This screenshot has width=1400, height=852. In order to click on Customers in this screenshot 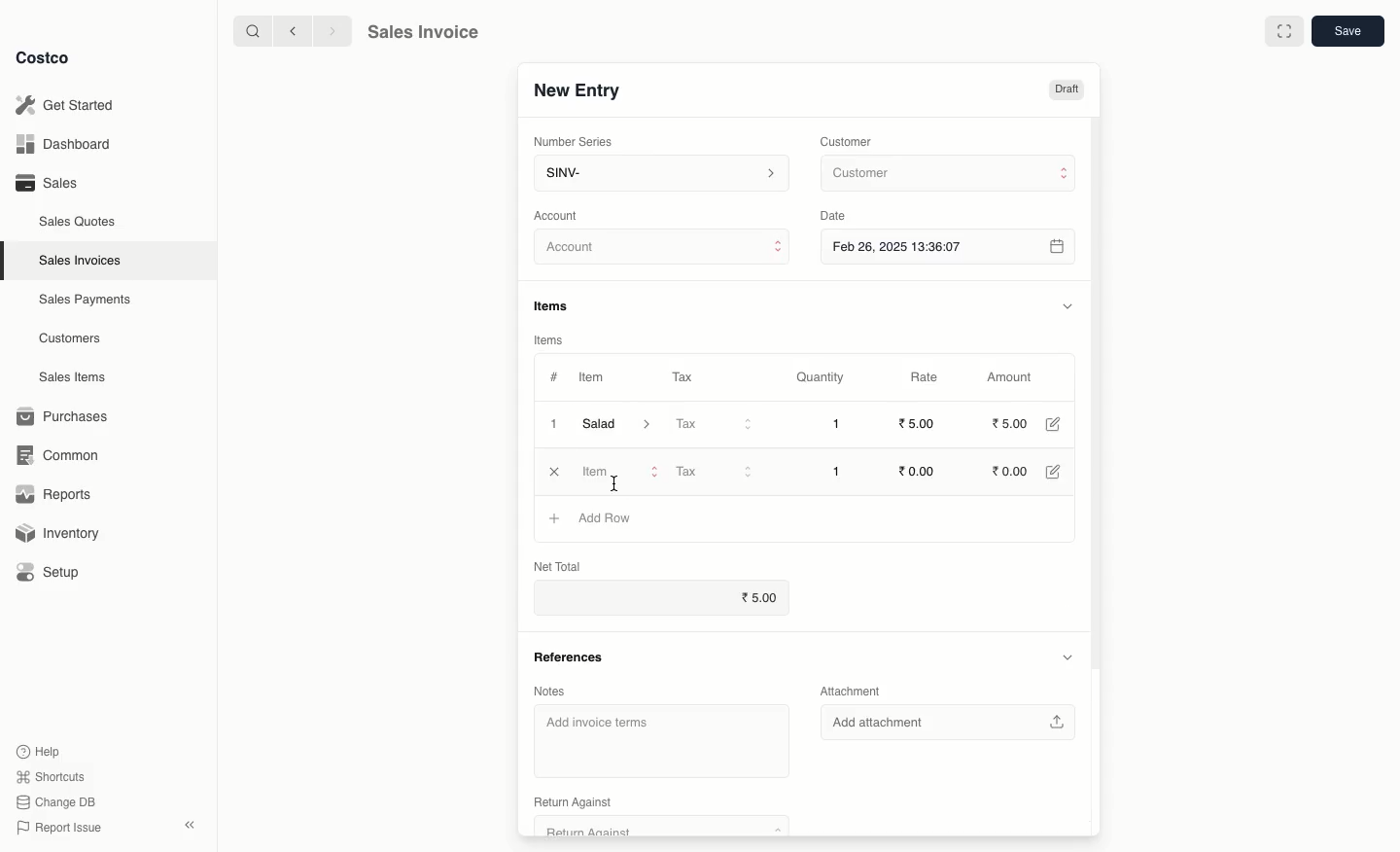, I will do `click(70, 337)`.